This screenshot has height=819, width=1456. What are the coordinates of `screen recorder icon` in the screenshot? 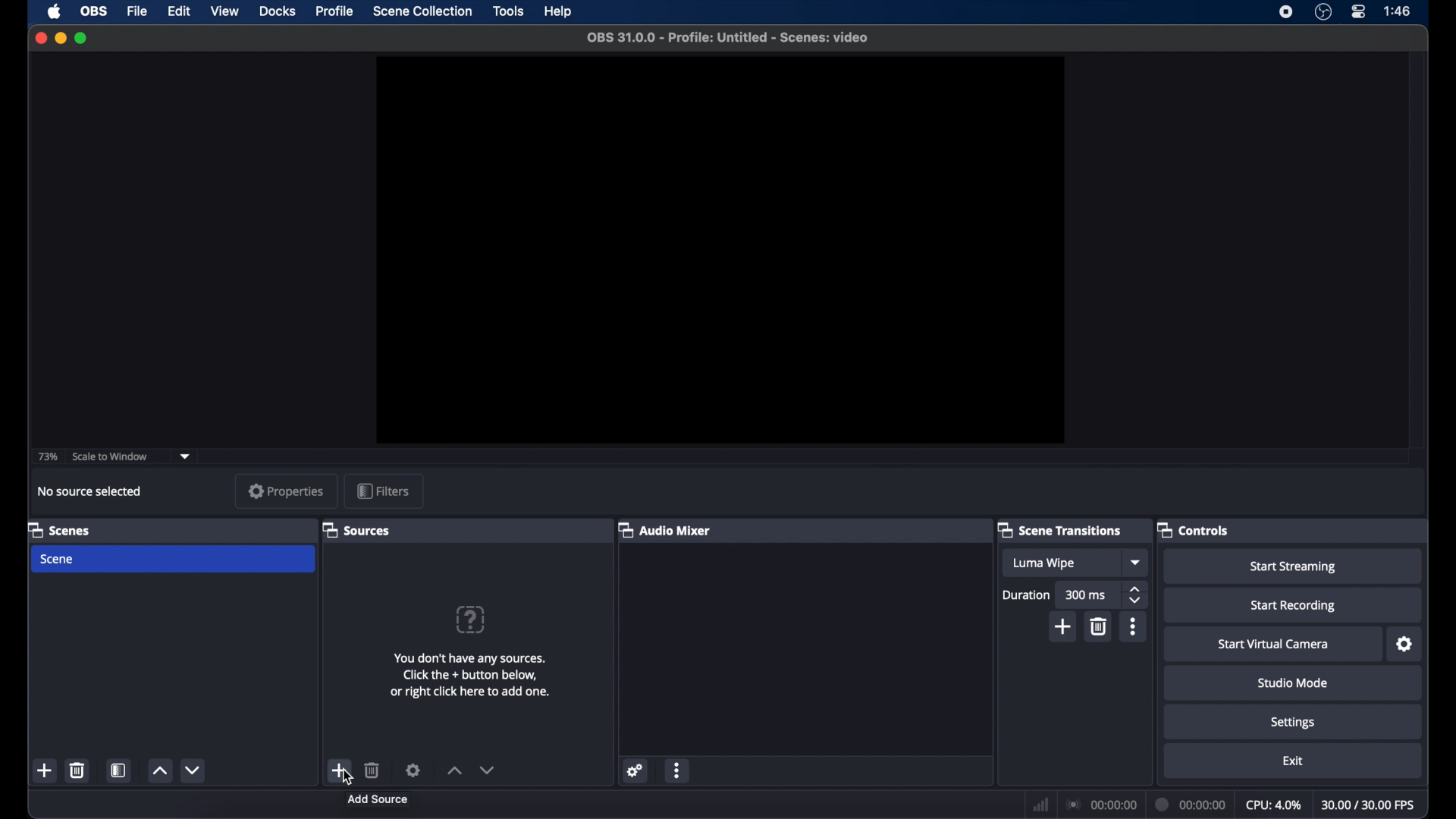 It's located at (1286, 12).